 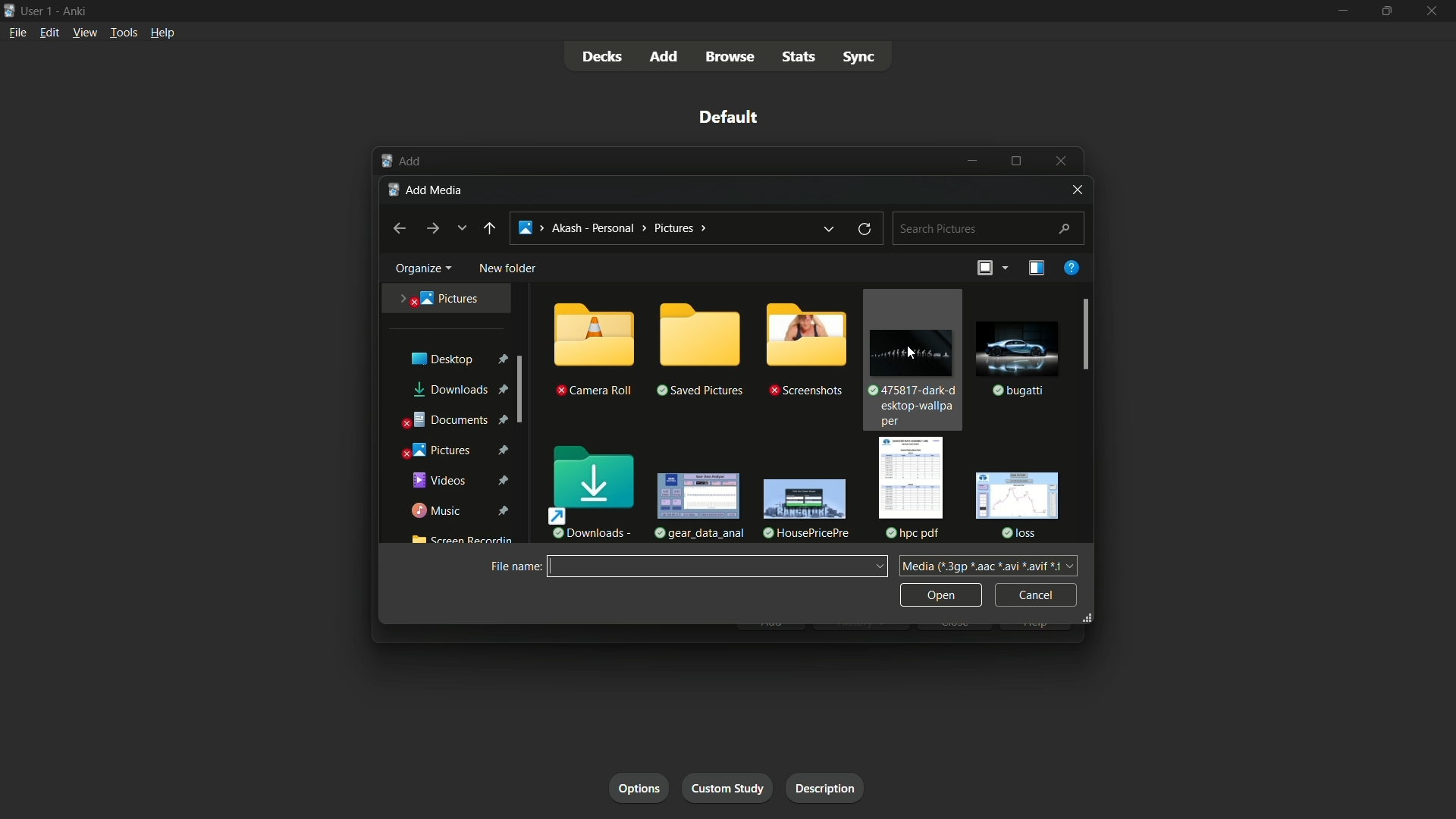 What do you see at coordinates (16, 31) in the screenshot?
I see `file menu` at bounding box center [16, 31].